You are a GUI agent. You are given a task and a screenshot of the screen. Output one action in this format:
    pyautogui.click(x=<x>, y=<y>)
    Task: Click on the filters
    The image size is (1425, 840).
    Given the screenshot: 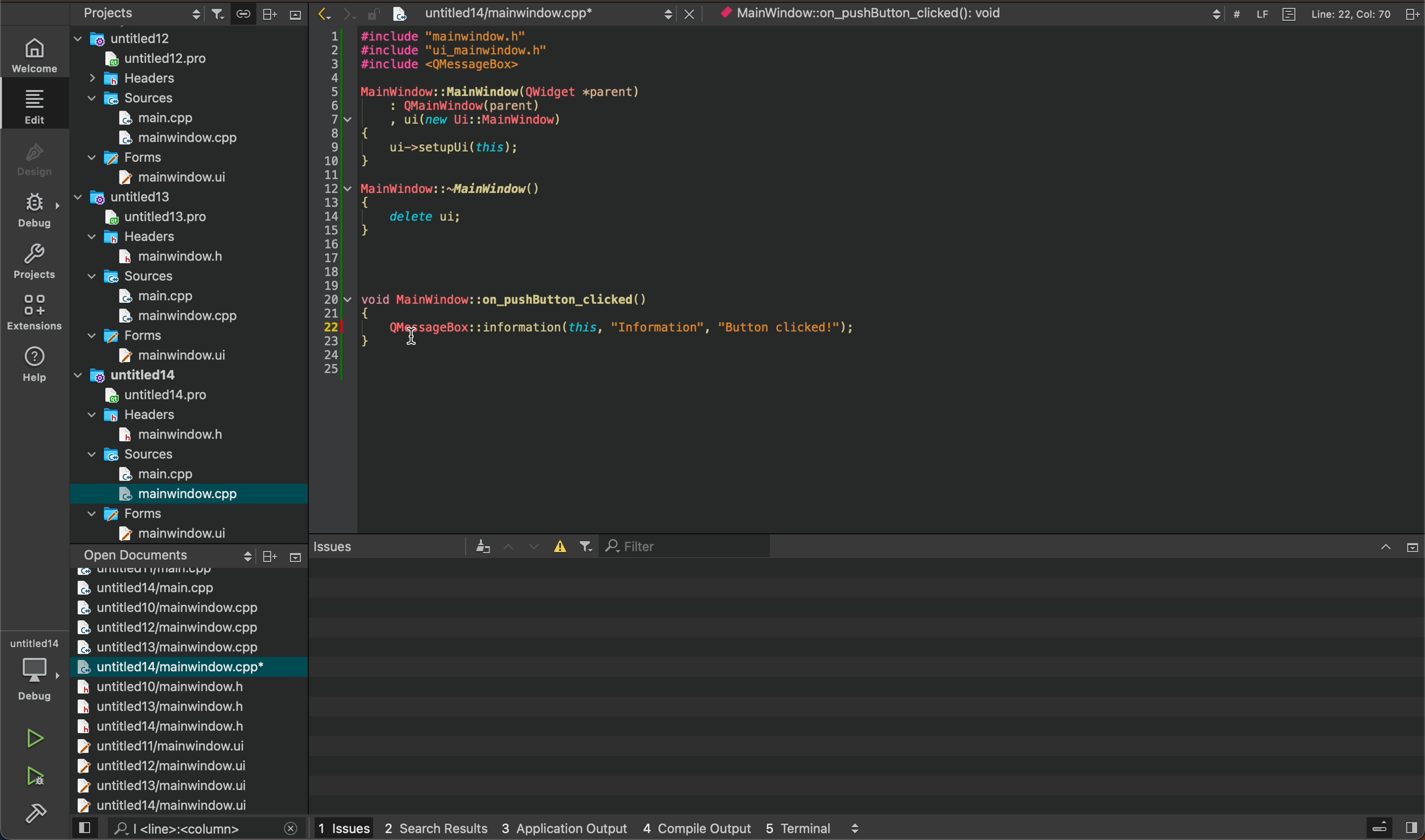 What is the action you would take?
    pyautogui.click(x=576, y=547)
    